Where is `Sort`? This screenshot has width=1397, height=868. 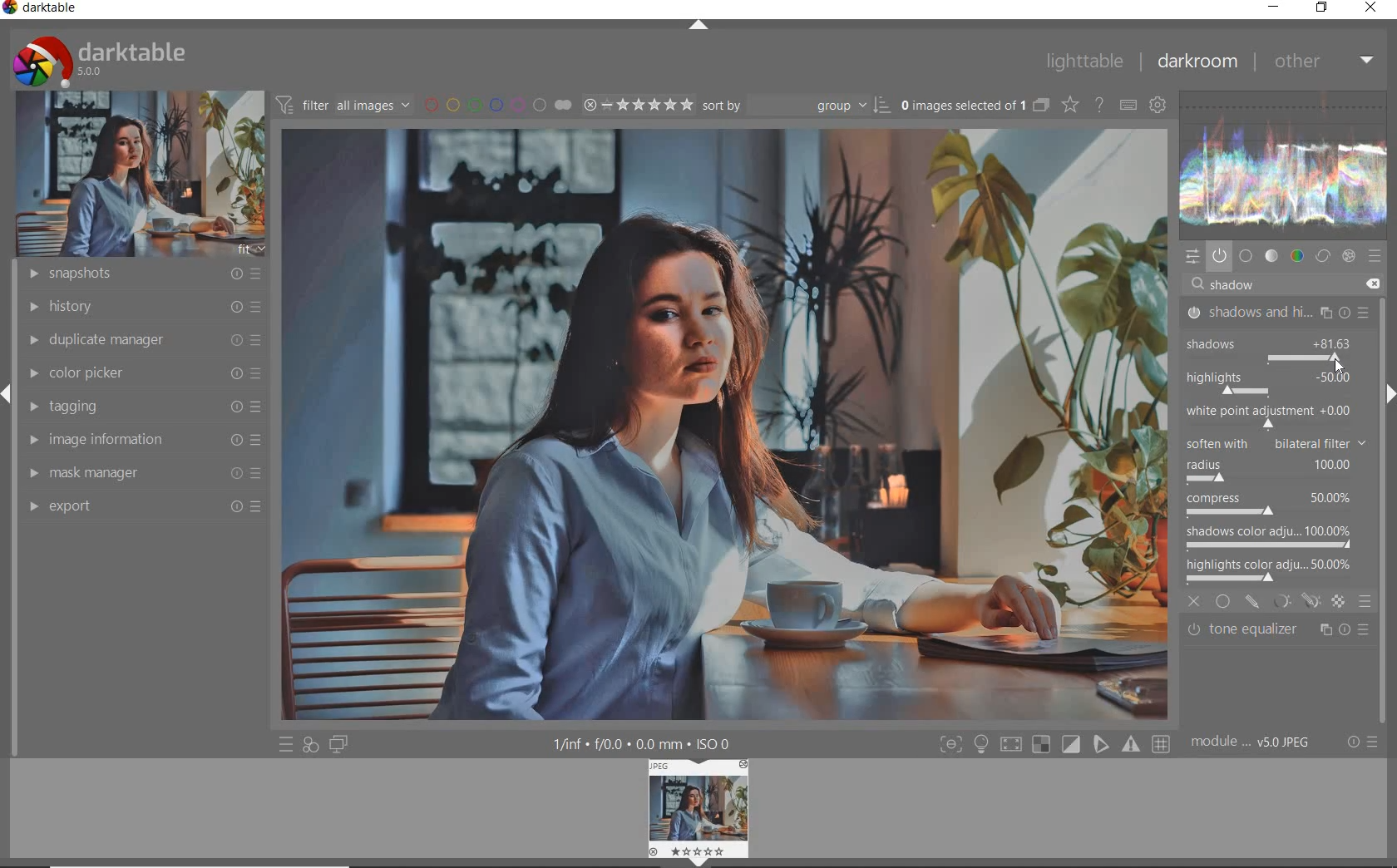
Sort is located at coordinates (797, 104).